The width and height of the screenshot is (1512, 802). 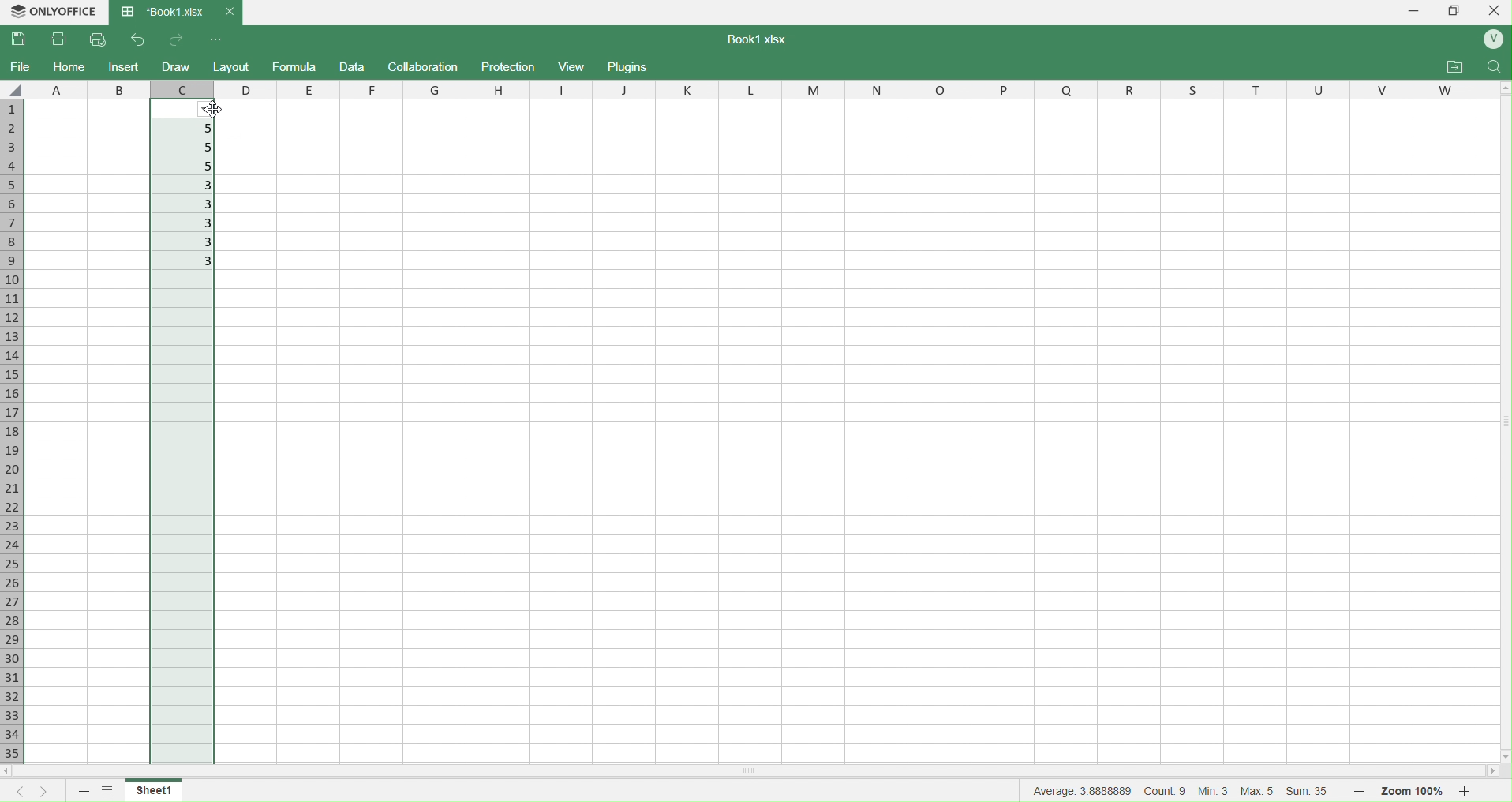 I want to click on Formula, so click(x=294, y=66).